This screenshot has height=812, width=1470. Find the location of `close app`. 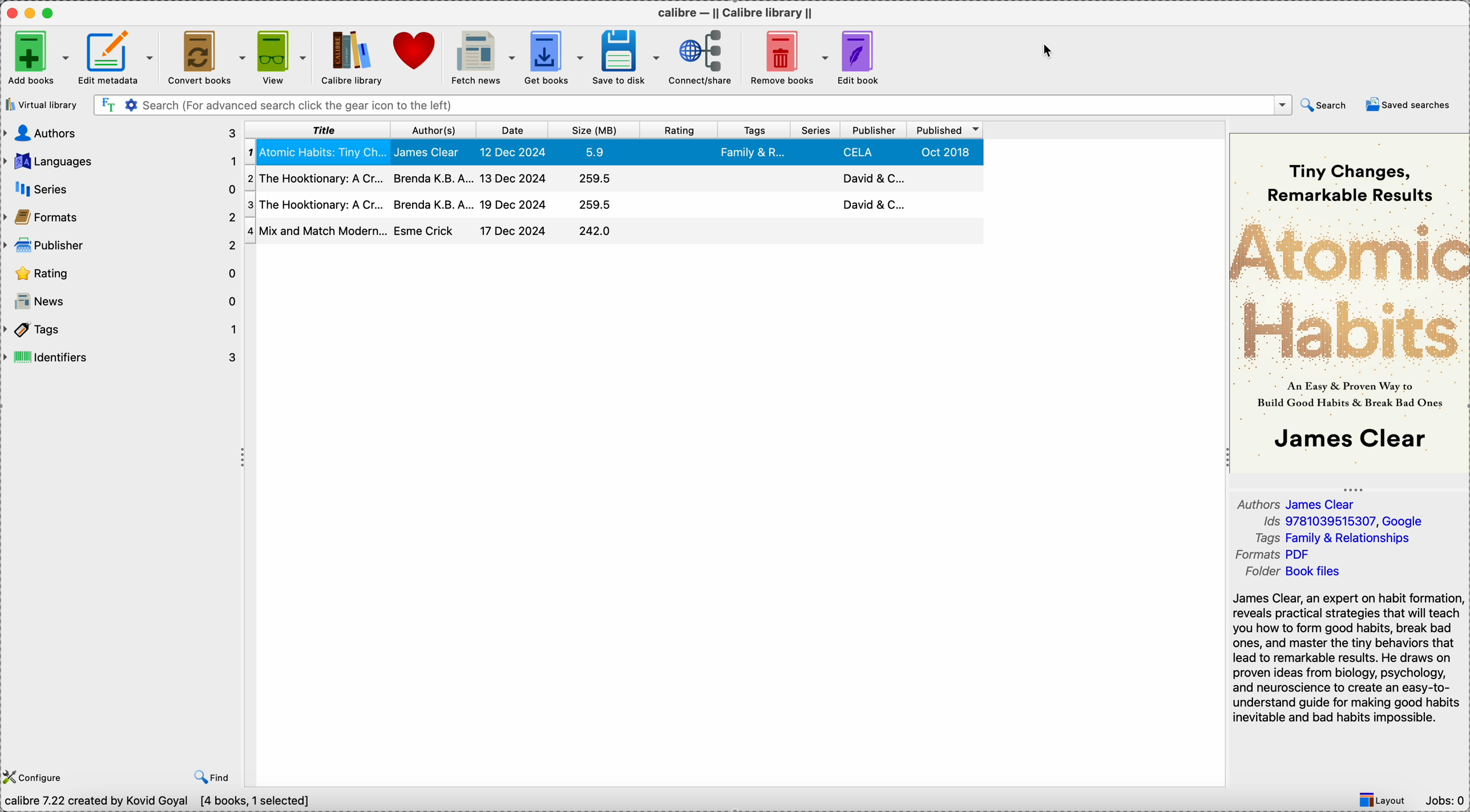

close app is located at coordinates (9, 13).